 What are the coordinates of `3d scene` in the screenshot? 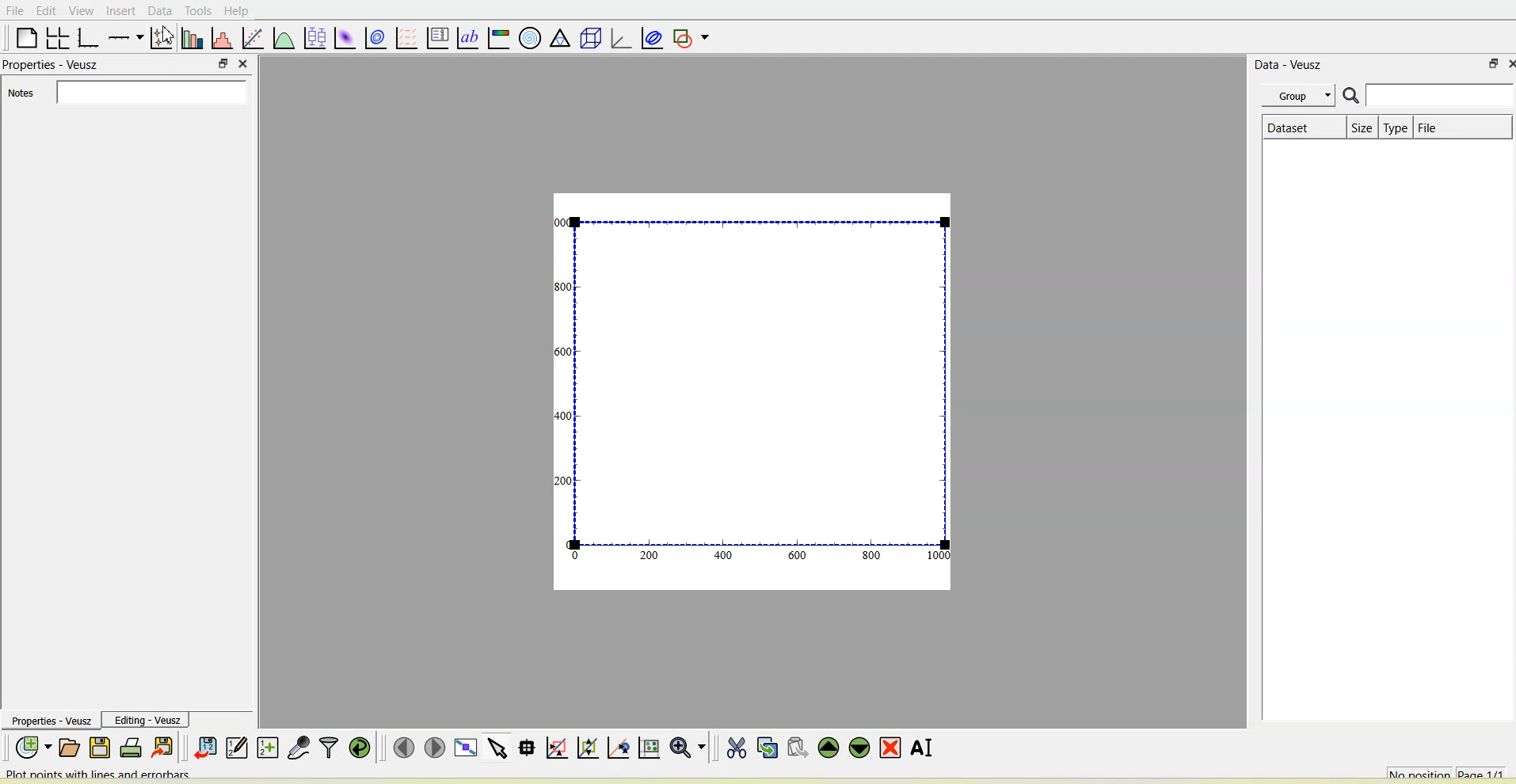 It's located at (588, 37).